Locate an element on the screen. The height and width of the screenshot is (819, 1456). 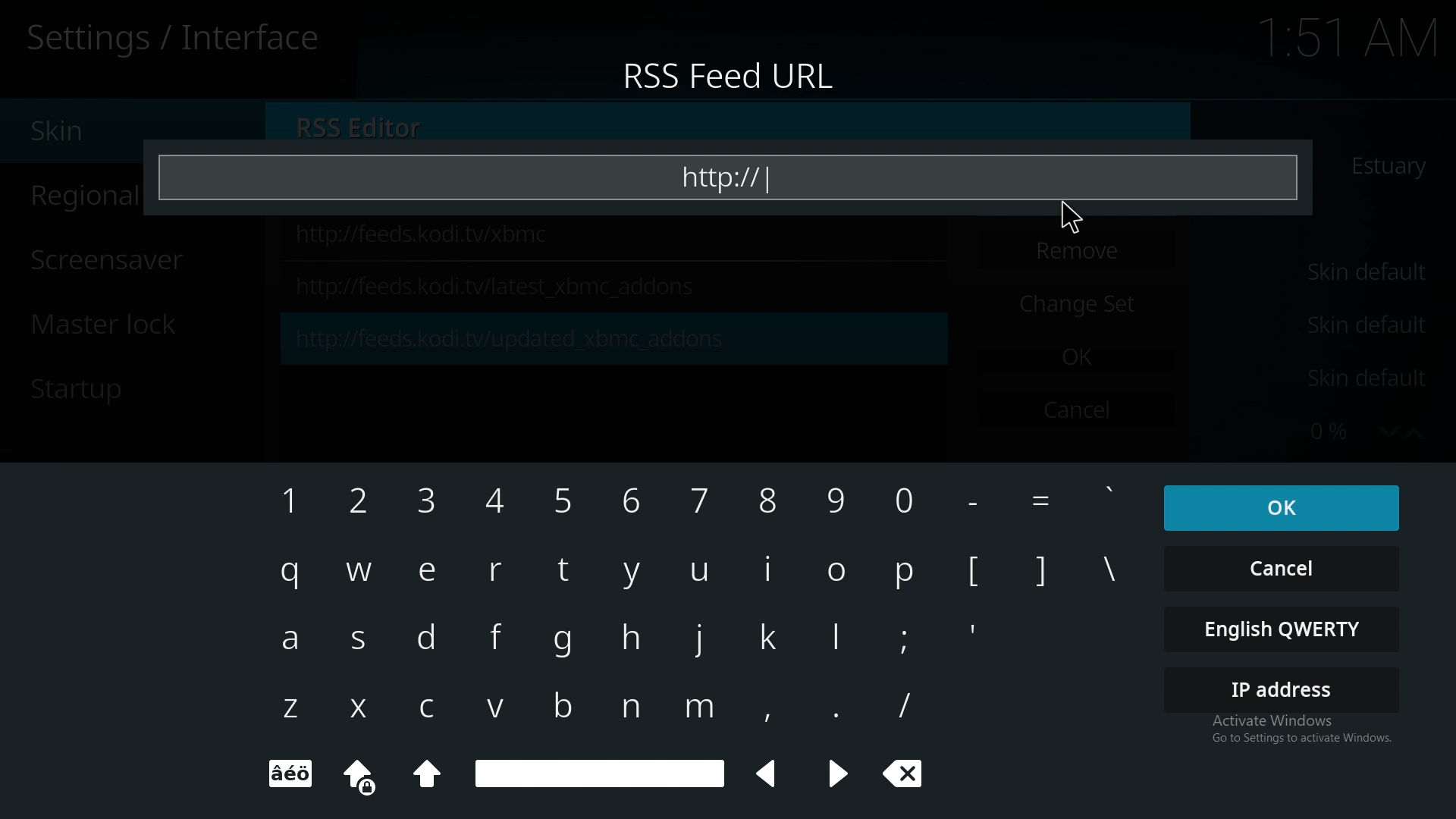
space is located at coordinates (598, 770).